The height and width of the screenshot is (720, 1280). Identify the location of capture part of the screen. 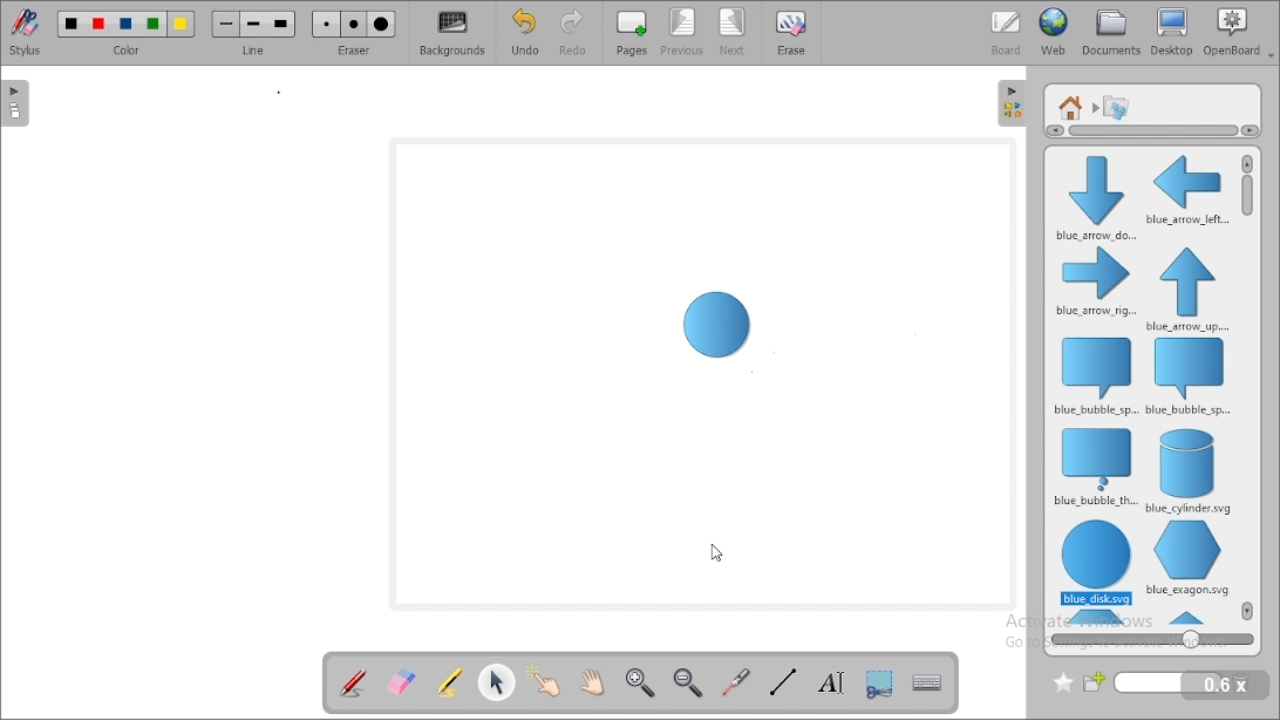
(880, 682).